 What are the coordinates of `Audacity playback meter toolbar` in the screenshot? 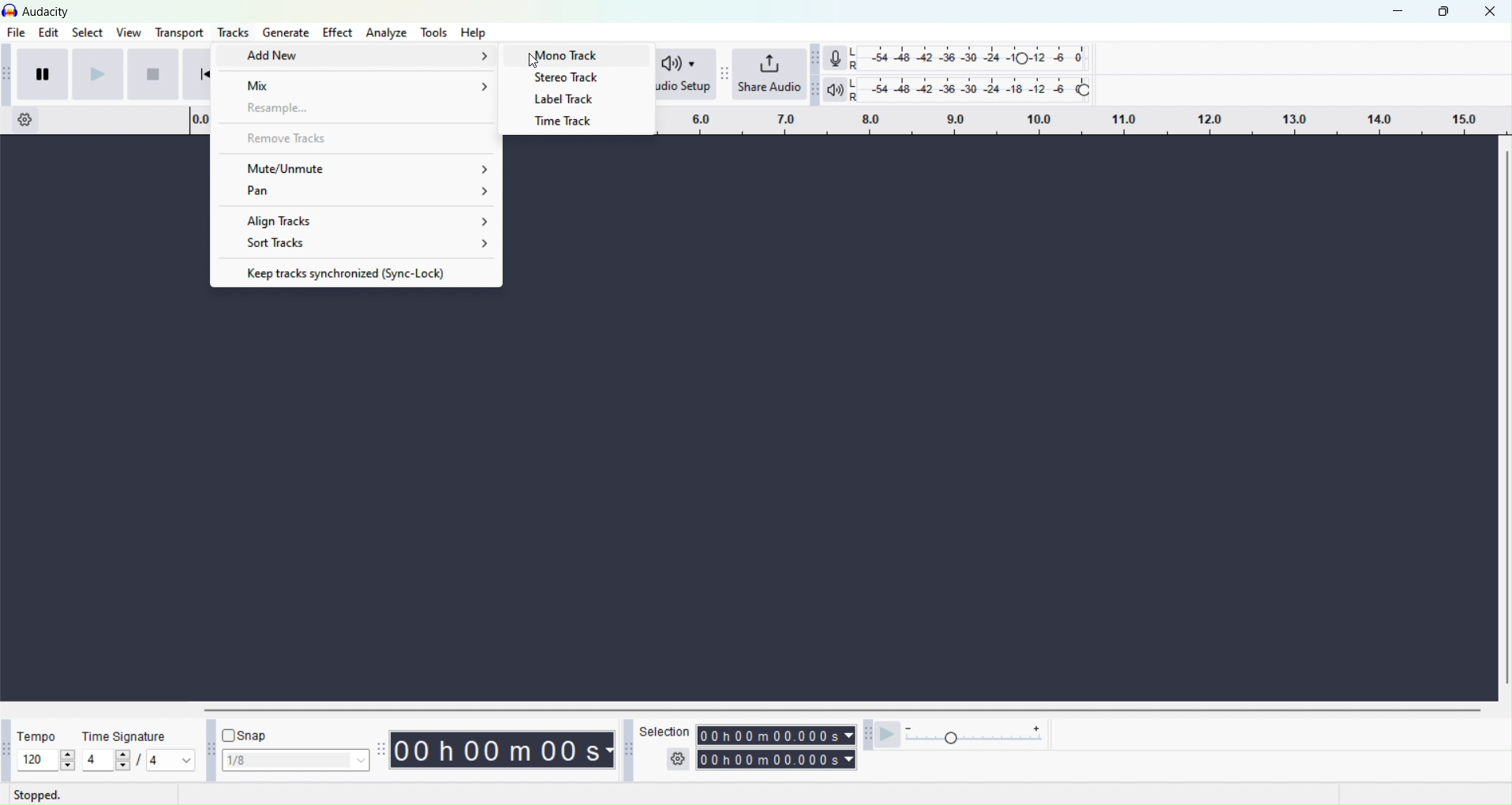 It's located at (816, 89).